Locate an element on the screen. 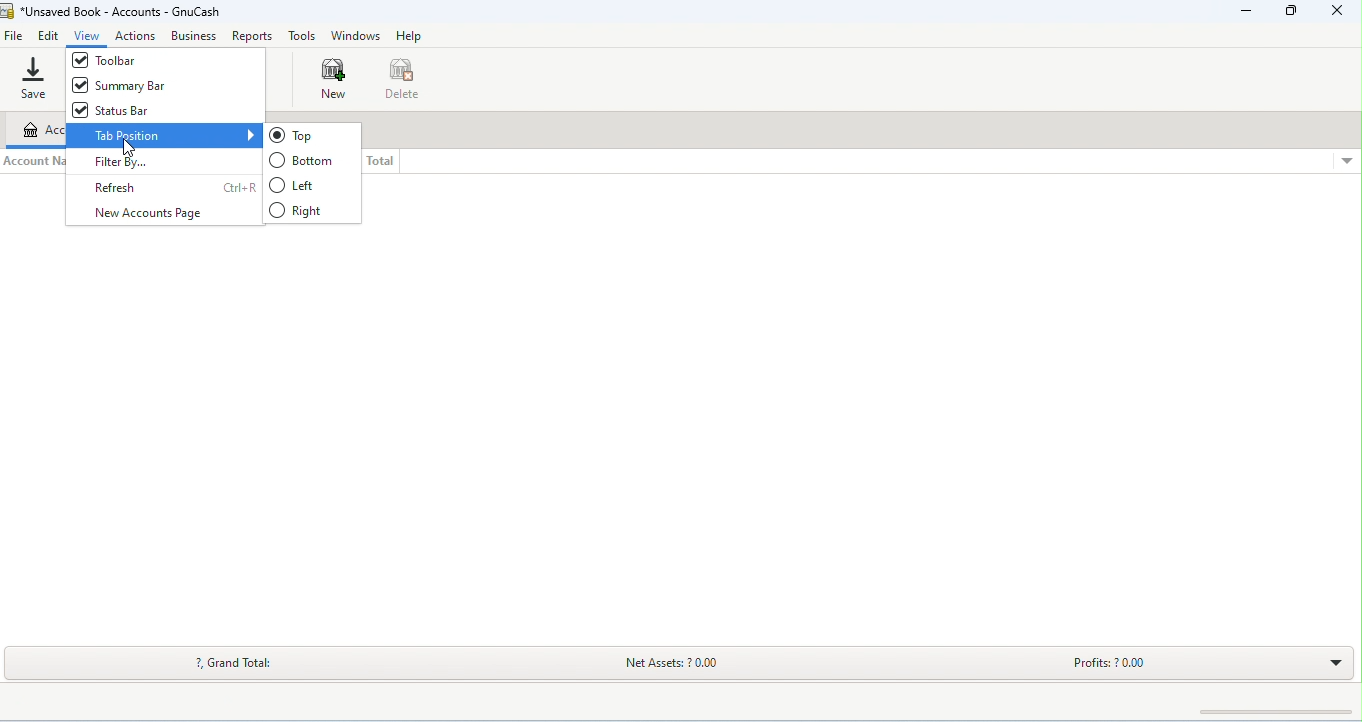 This screenshot has height=722, width=1362. view is located at coordinates (87, 36).